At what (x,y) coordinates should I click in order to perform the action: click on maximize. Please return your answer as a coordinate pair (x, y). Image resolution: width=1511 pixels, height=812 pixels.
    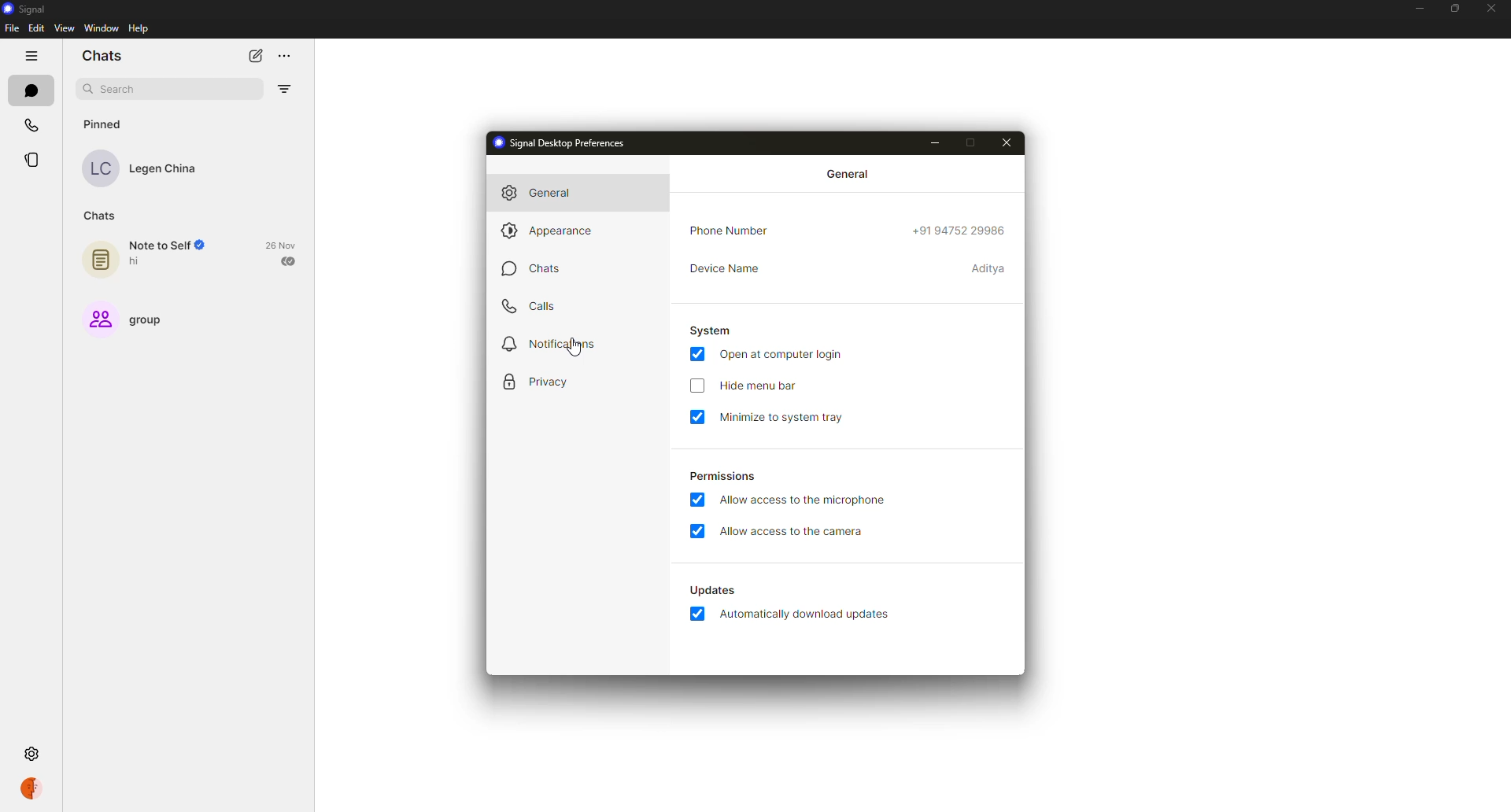
    Looking at the image, I should click on (976, 144).